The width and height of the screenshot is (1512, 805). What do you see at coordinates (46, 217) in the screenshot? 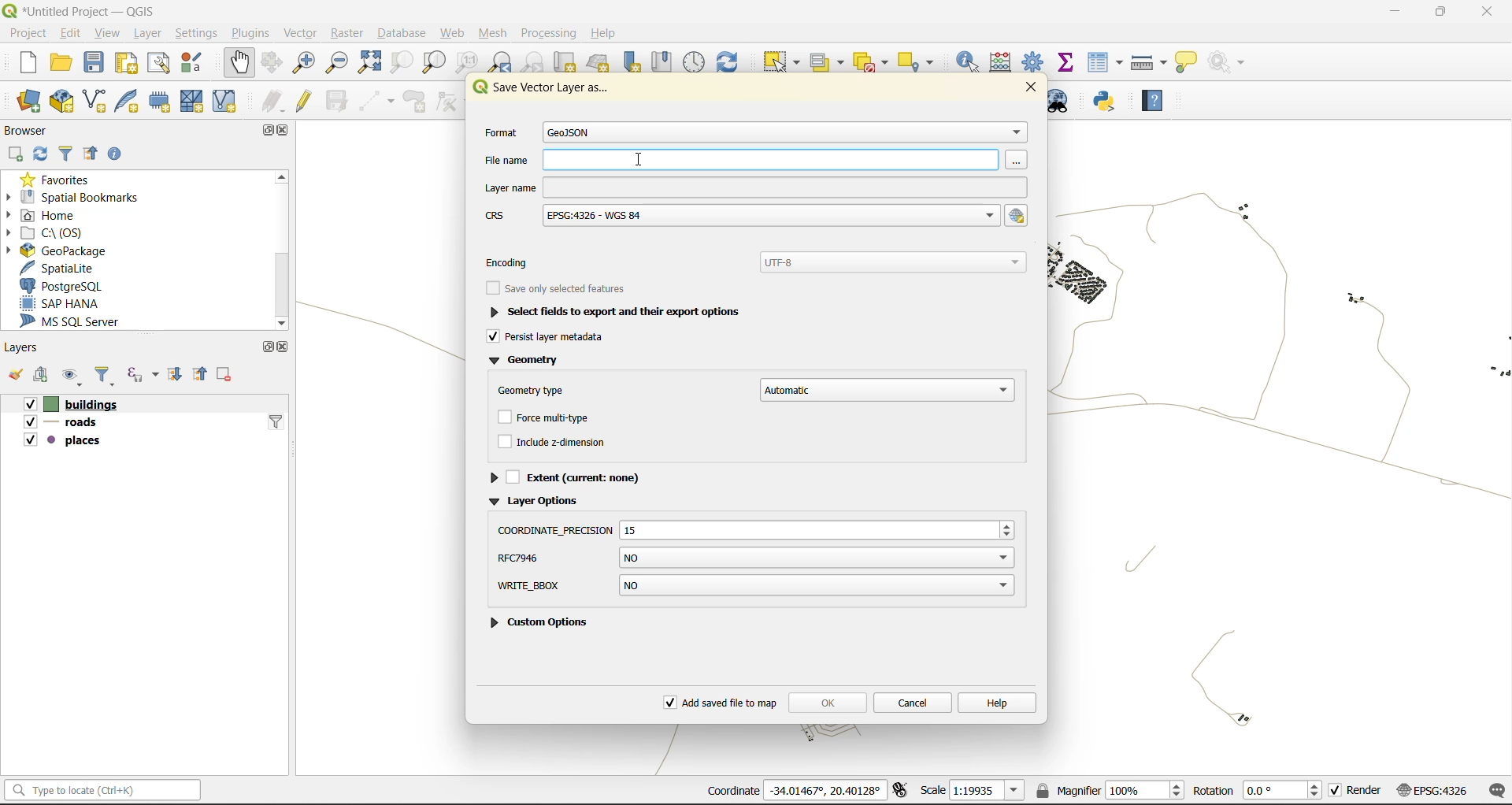
I see `home` at bounding box center [46, 217].